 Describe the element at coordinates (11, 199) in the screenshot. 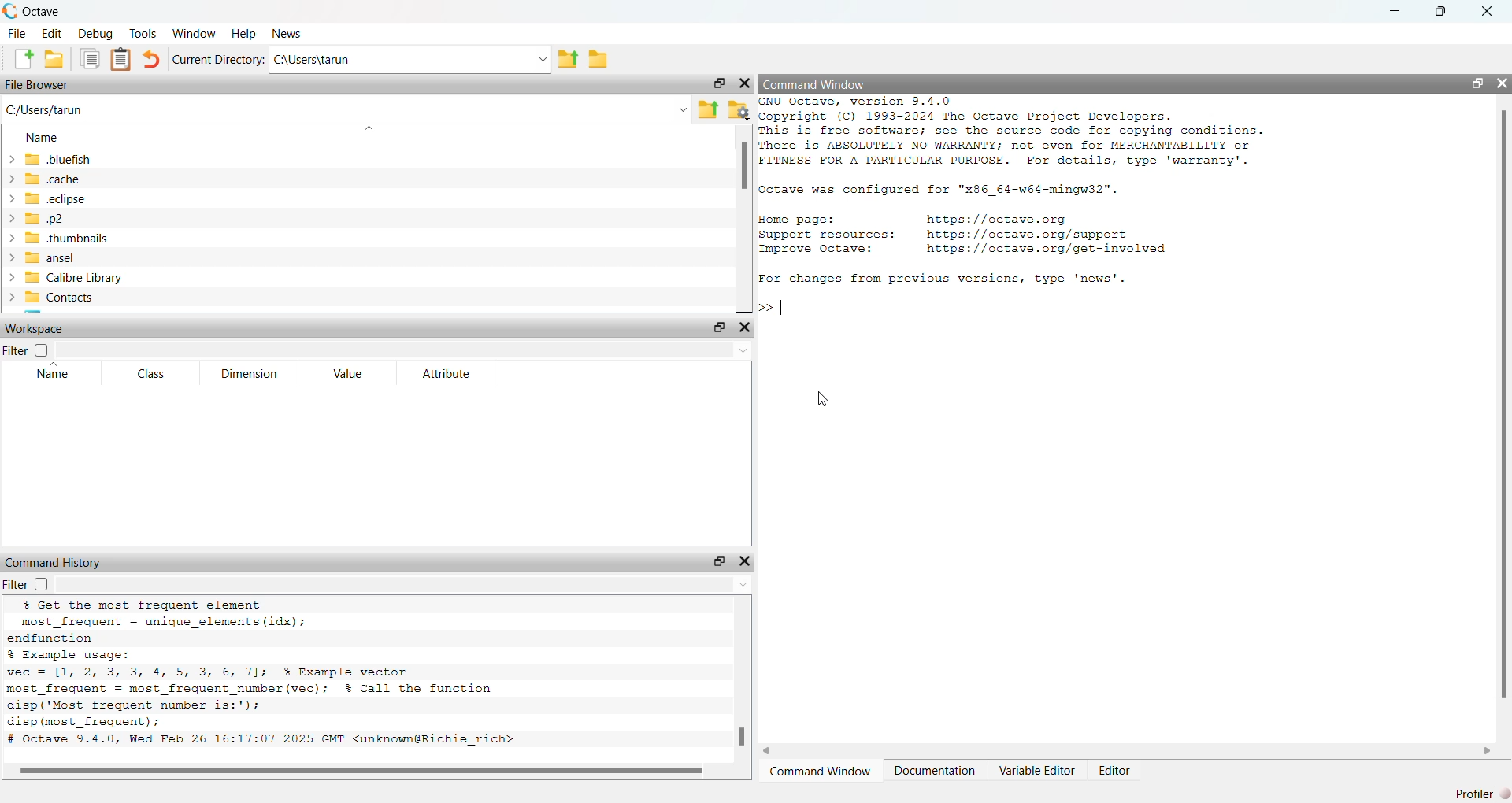

I see `expand/collapse` at that location.